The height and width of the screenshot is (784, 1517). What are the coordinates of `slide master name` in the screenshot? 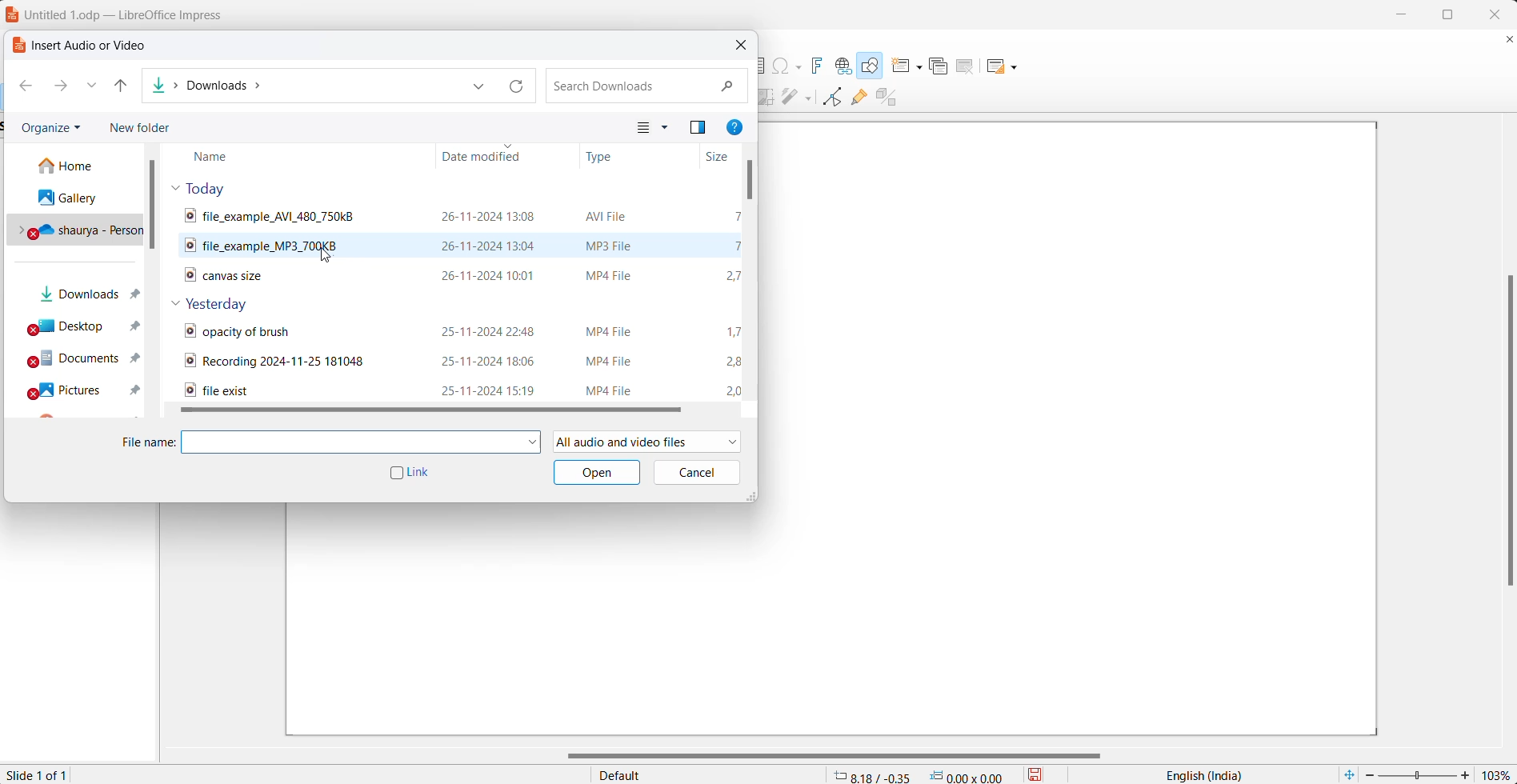 It's located at (708, 774).